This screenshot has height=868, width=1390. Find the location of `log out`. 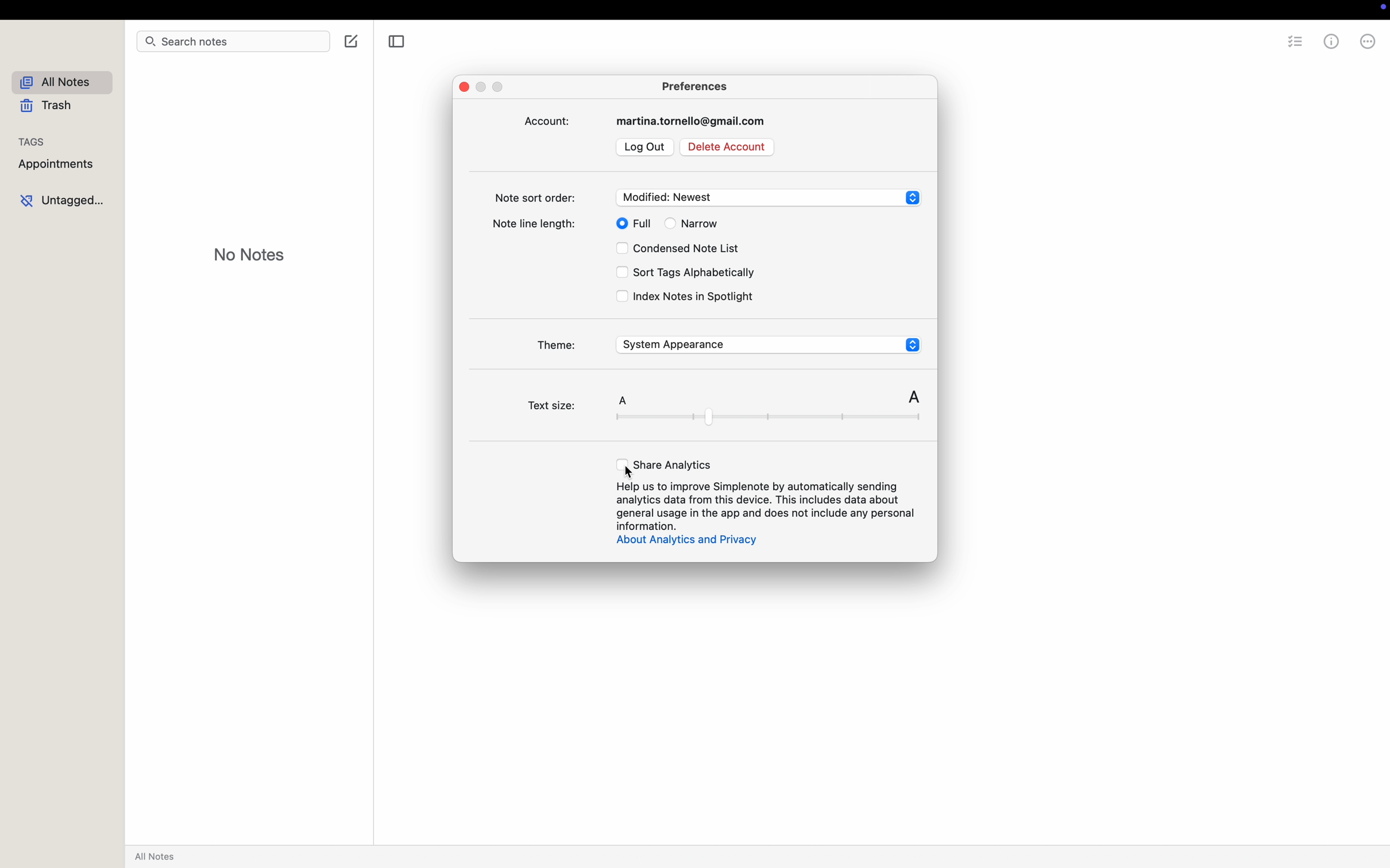

log out is located at coordinates (645, 147).